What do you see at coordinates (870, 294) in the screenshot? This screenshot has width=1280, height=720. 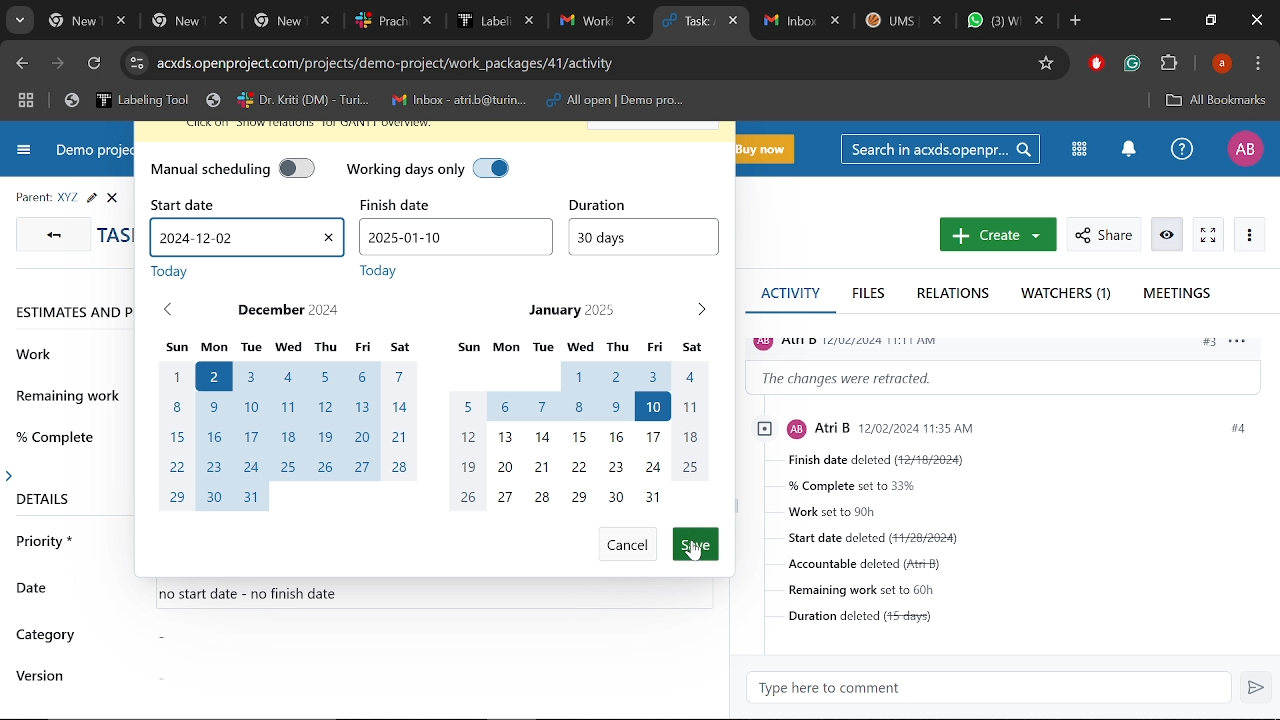 I see `Files` at bounding box center [870, 294].